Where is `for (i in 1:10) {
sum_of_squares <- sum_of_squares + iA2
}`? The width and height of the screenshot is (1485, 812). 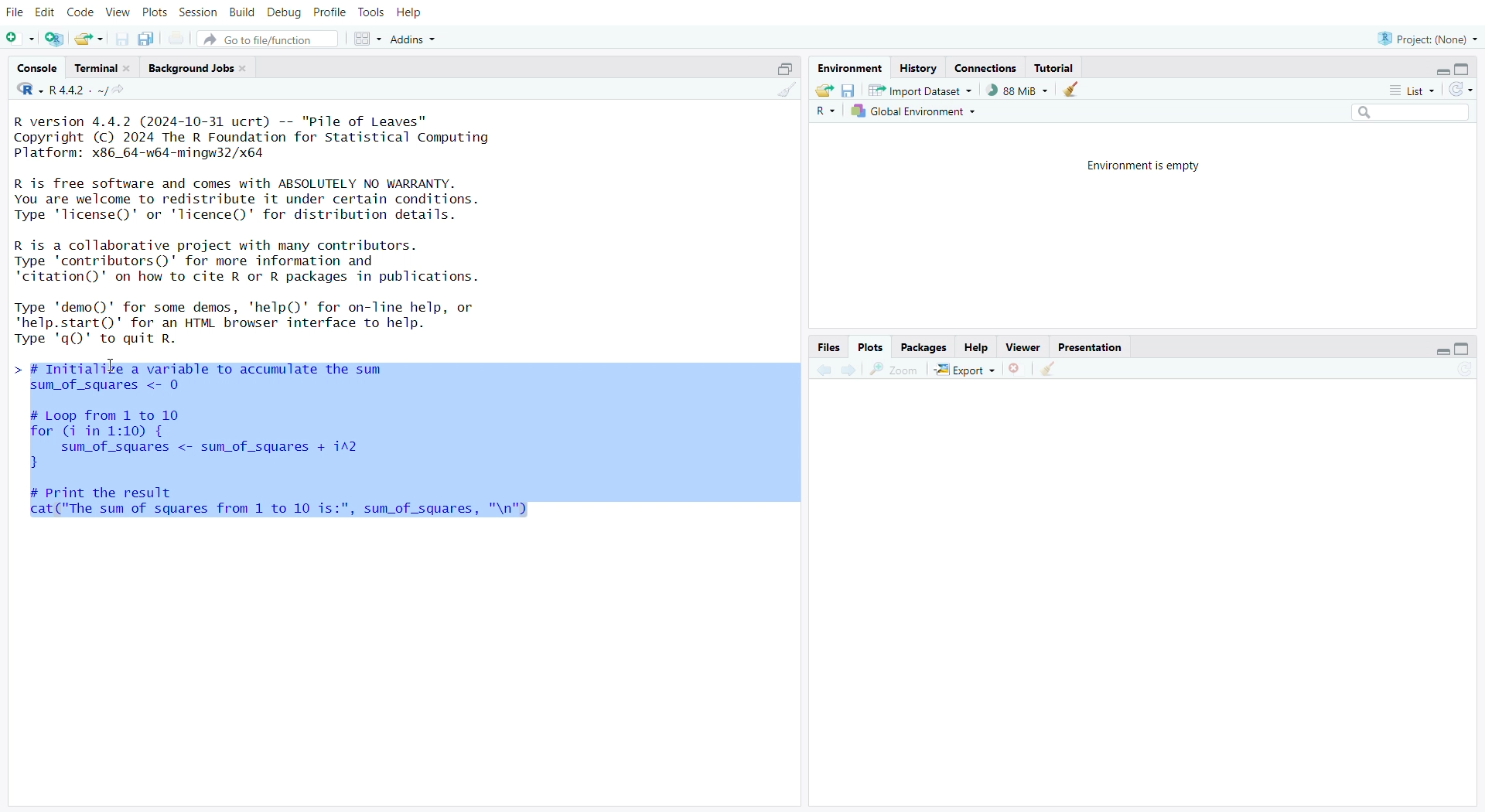 for (i in 1:10) {
sum_of_squares <- sum_of_squares + iA2
} is located at coordinates (253, 449).